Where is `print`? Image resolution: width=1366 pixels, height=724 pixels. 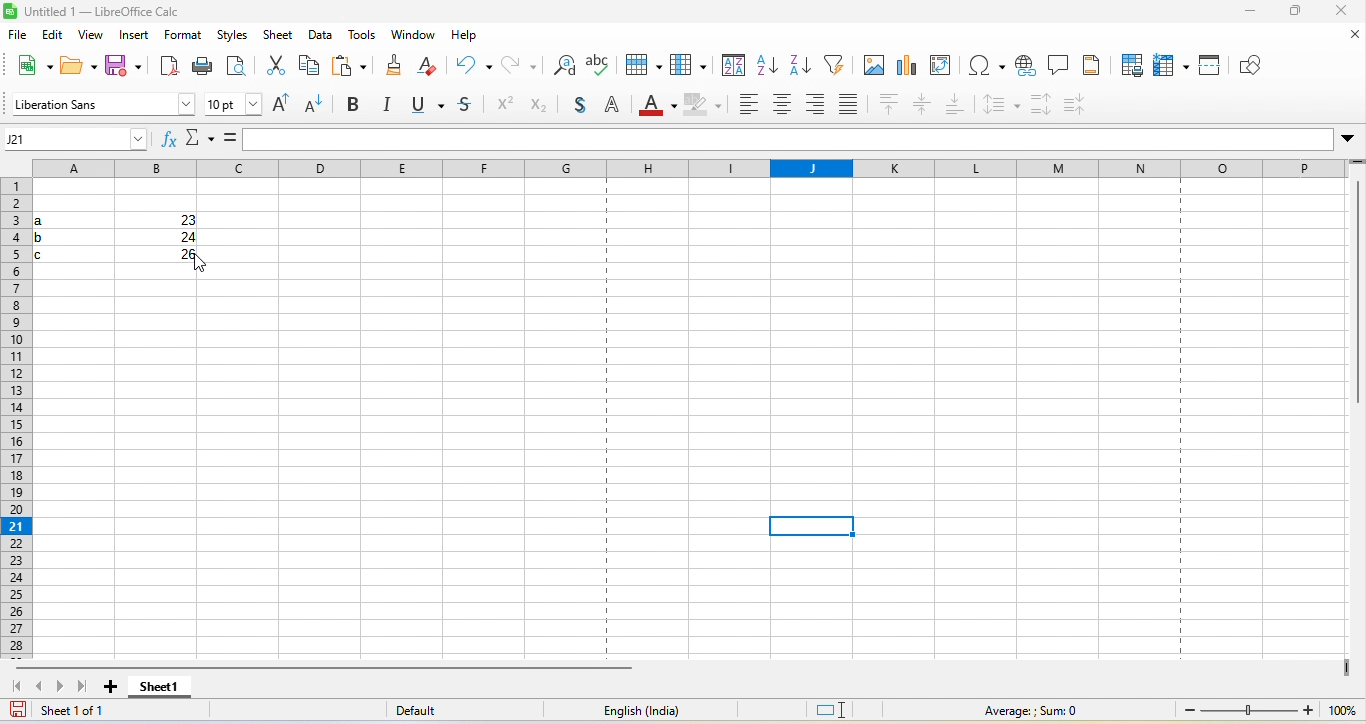
print is located at coordinates (204, 67).